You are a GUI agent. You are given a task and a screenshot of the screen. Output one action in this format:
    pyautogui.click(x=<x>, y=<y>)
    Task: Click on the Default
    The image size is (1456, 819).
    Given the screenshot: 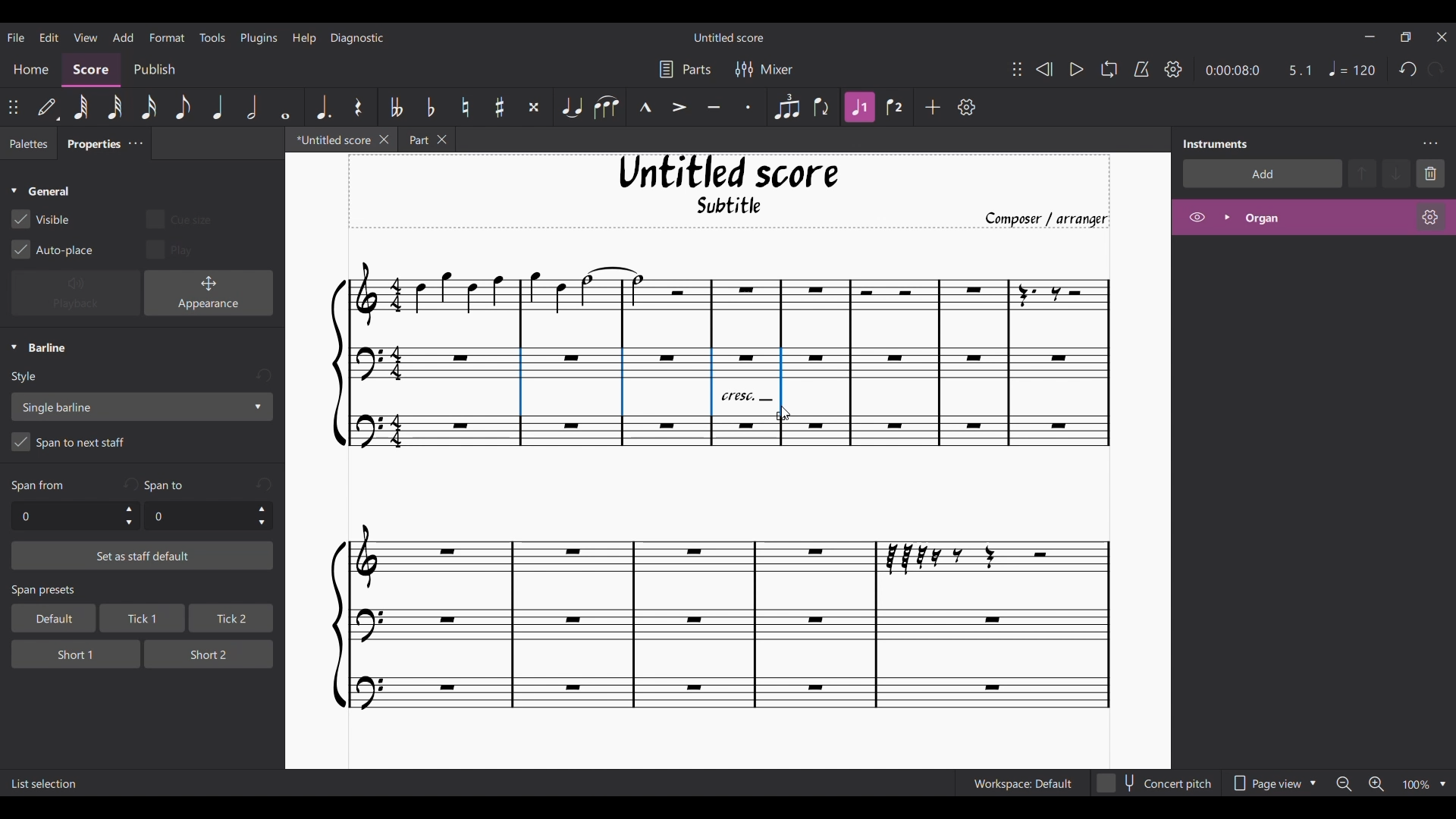 What is the action you would take?
    pyautogui.click(x=48, y=108)
    